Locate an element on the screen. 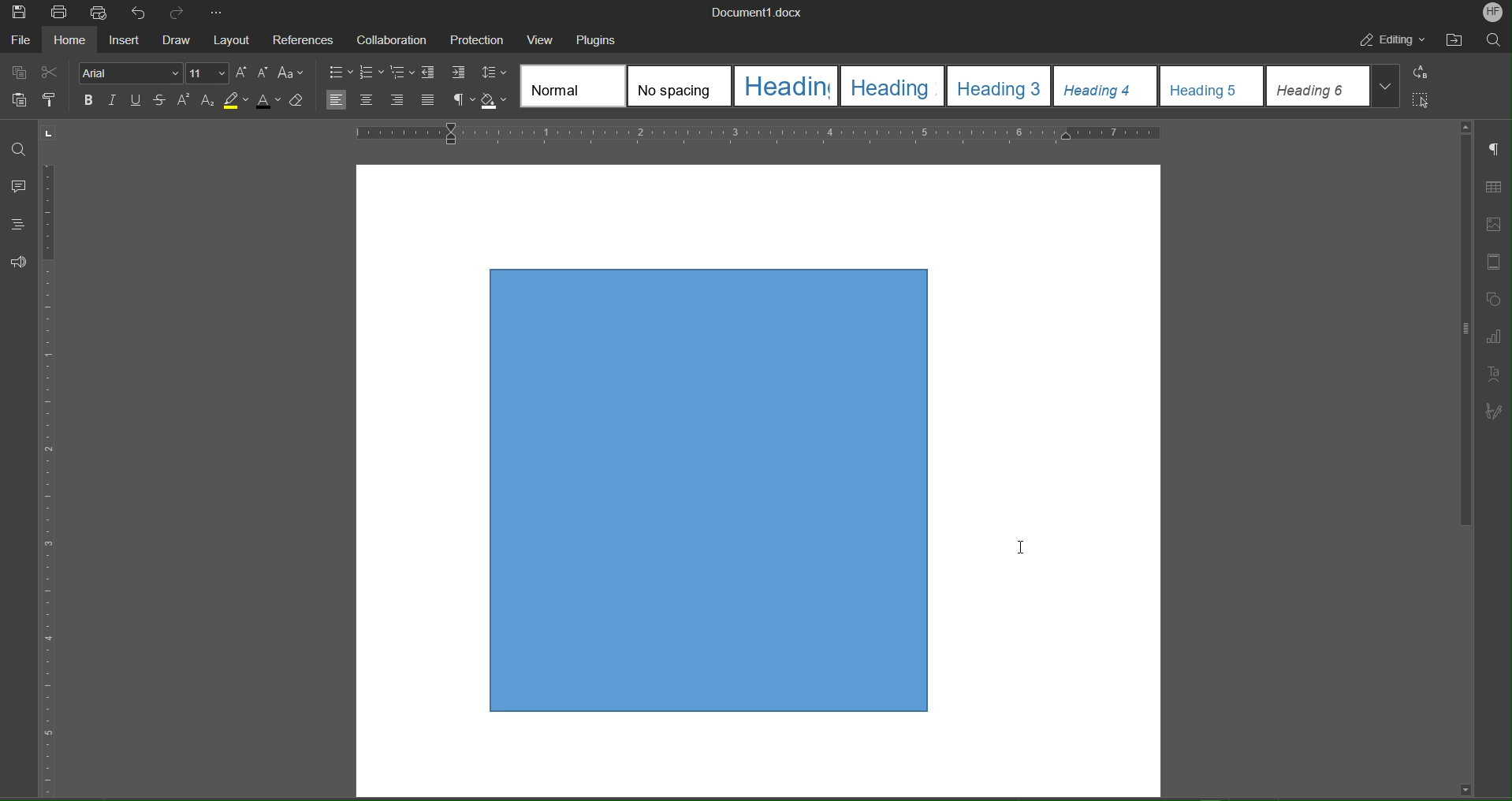  View  is located at coordinates (546, 39).